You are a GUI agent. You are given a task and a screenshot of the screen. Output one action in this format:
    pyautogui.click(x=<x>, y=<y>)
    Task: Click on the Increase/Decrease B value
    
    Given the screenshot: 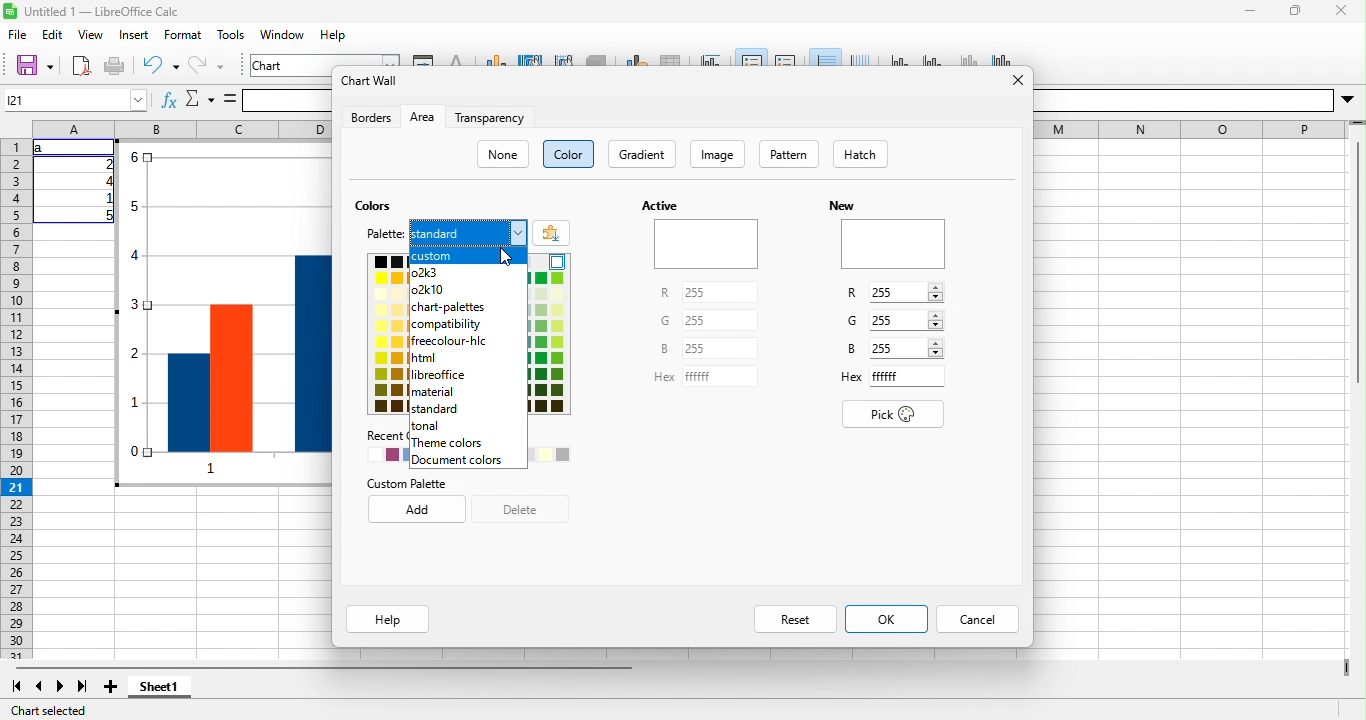 What is the action you would take?
    pyautogui.click(x=936, y=348)
    